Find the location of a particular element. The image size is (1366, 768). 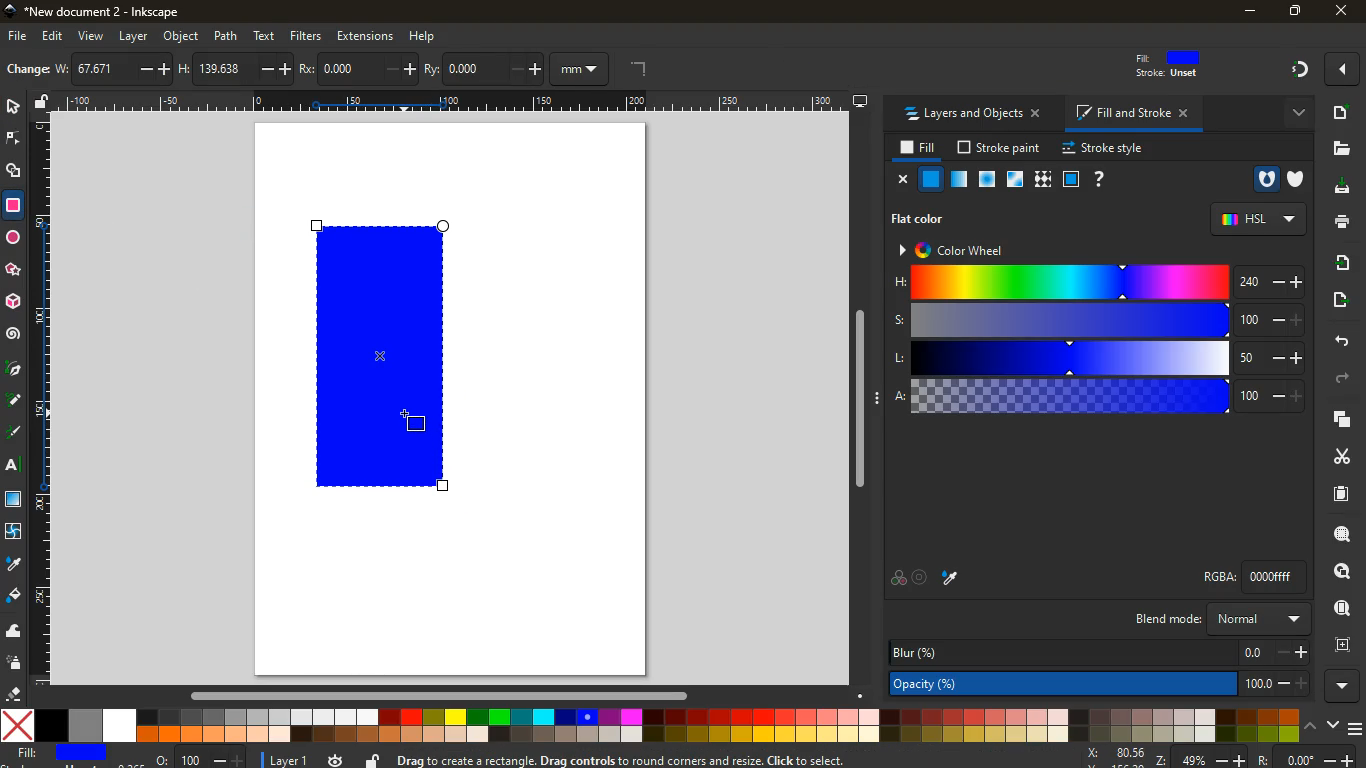

object is located at coordinates (182, 37).